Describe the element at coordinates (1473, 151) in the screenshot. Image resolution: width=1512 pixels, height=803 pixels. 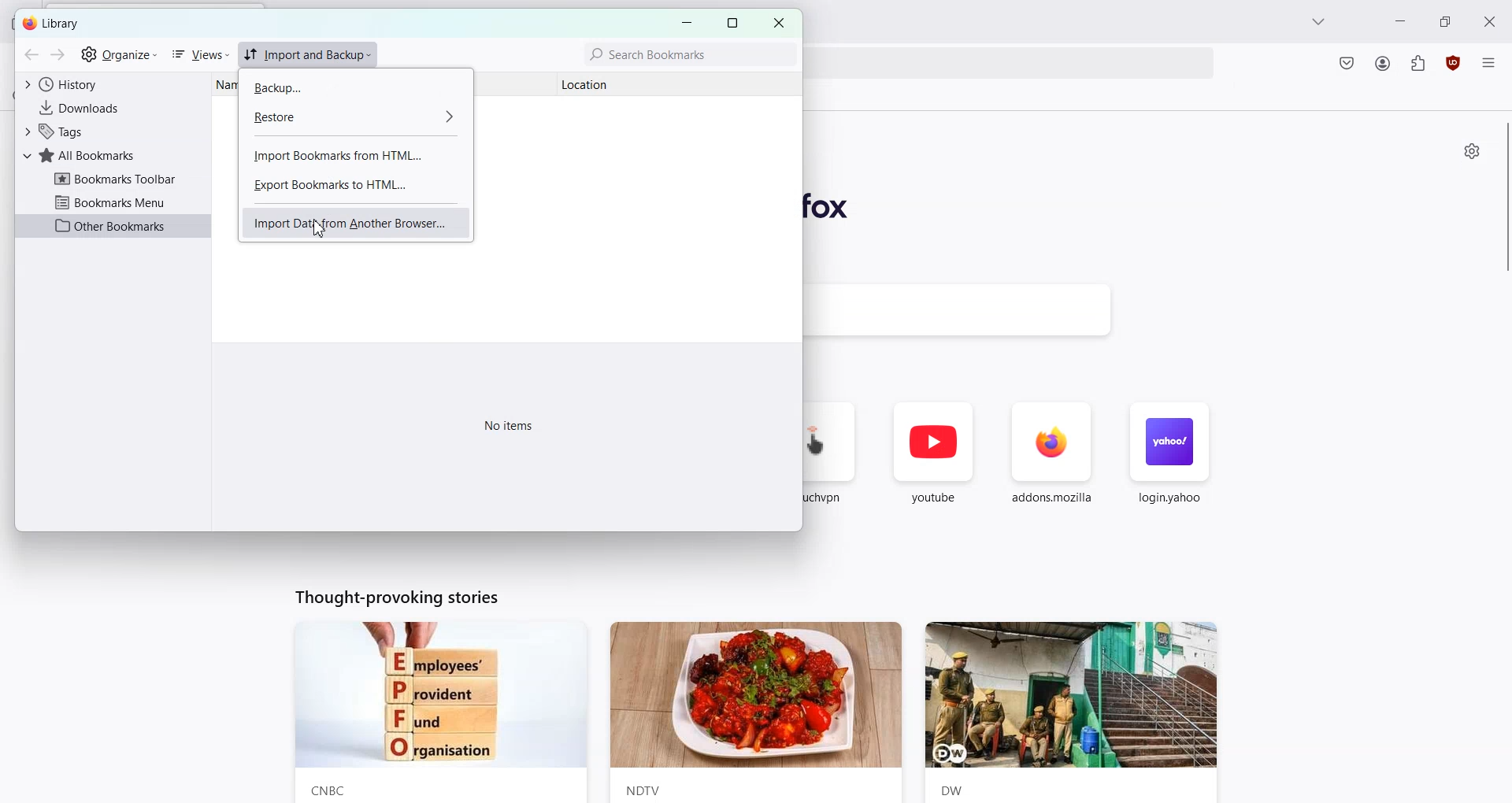
I see `Personalize new Tab` at that location.